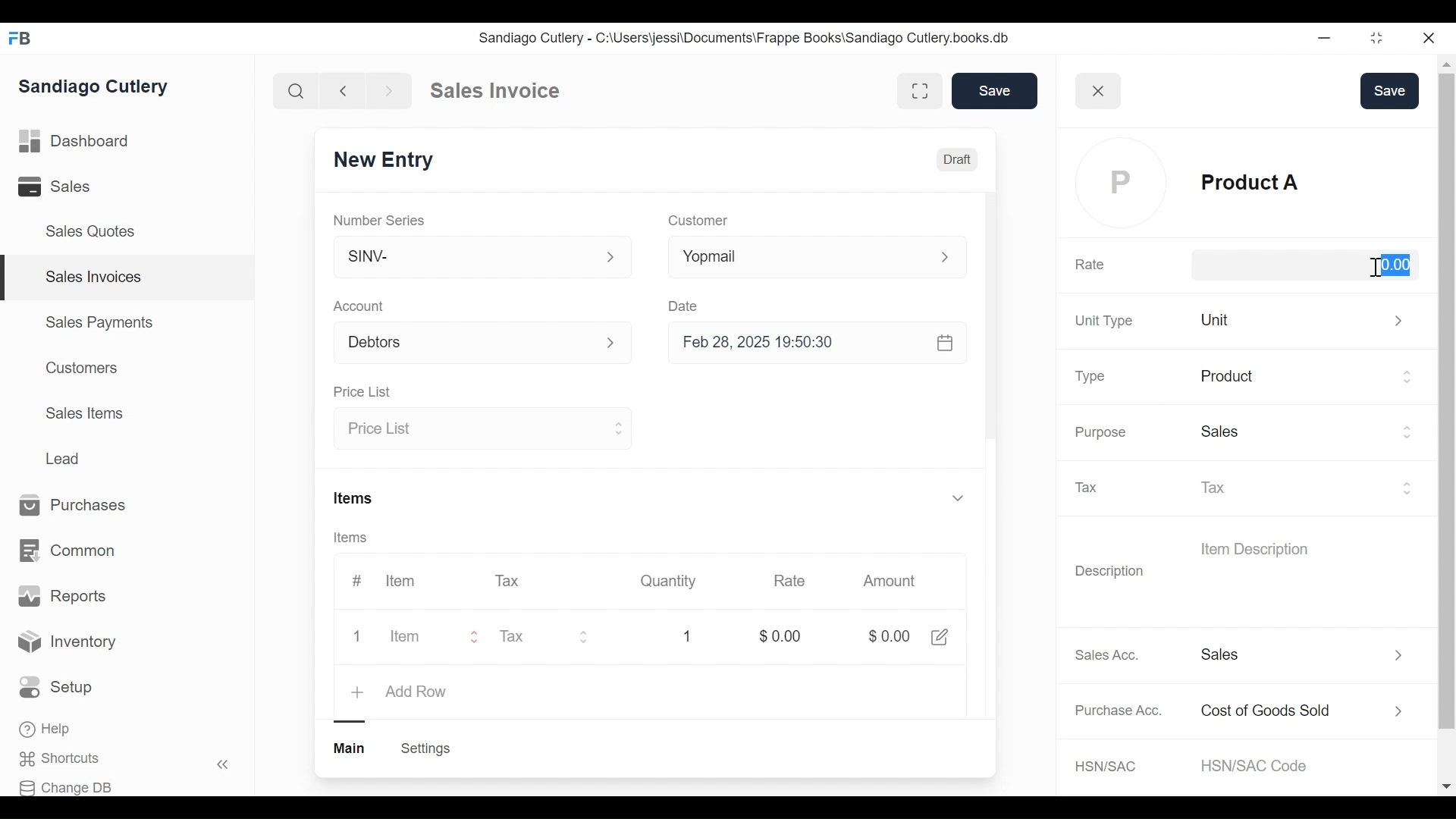 The image size is (1456, 819). Describe the element at coordinates (1124, 184) in the screenshot. I see `profile` at that location.